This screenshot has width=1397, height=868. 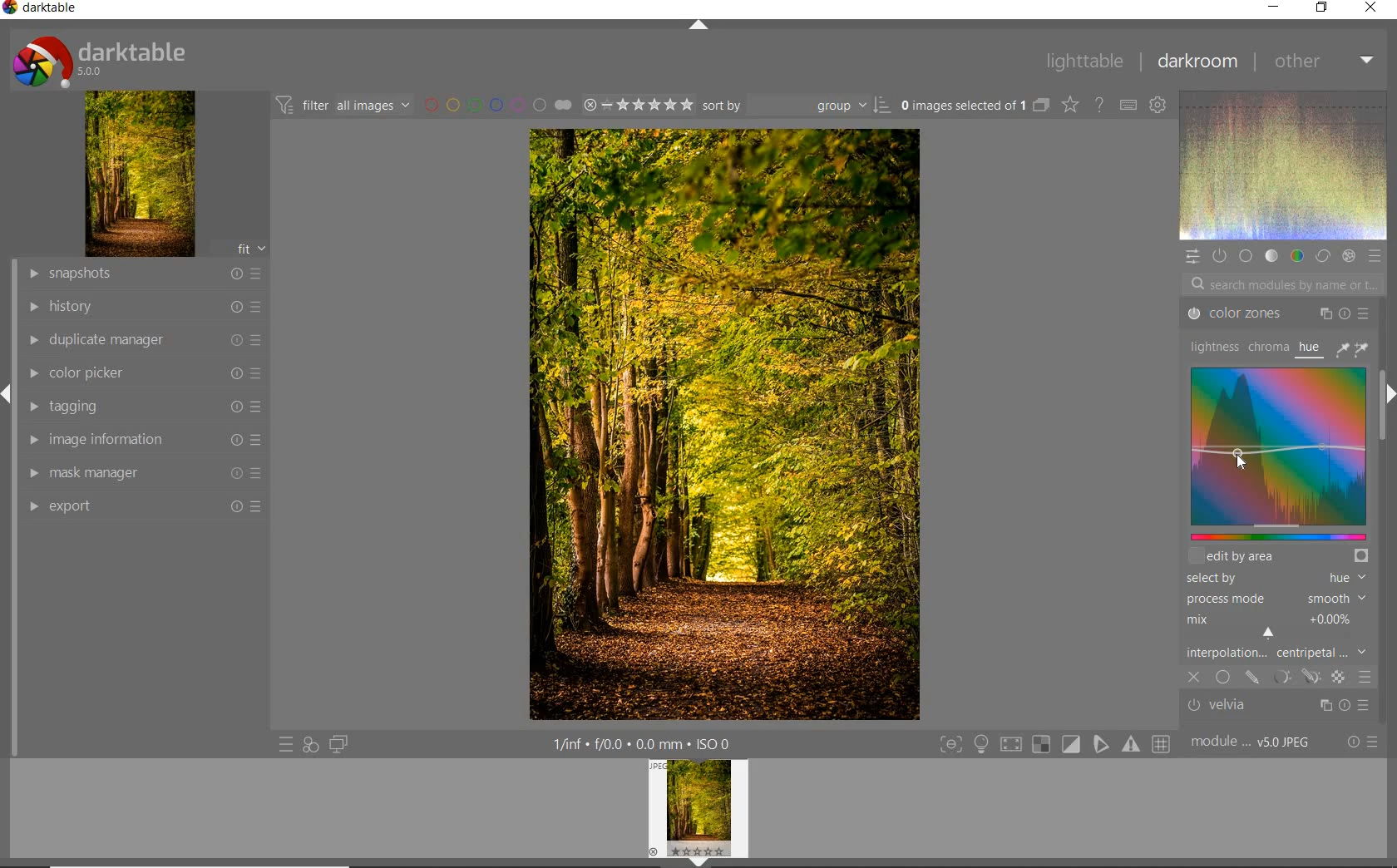 I want to click on color zones, so click(x=1276, y=313).